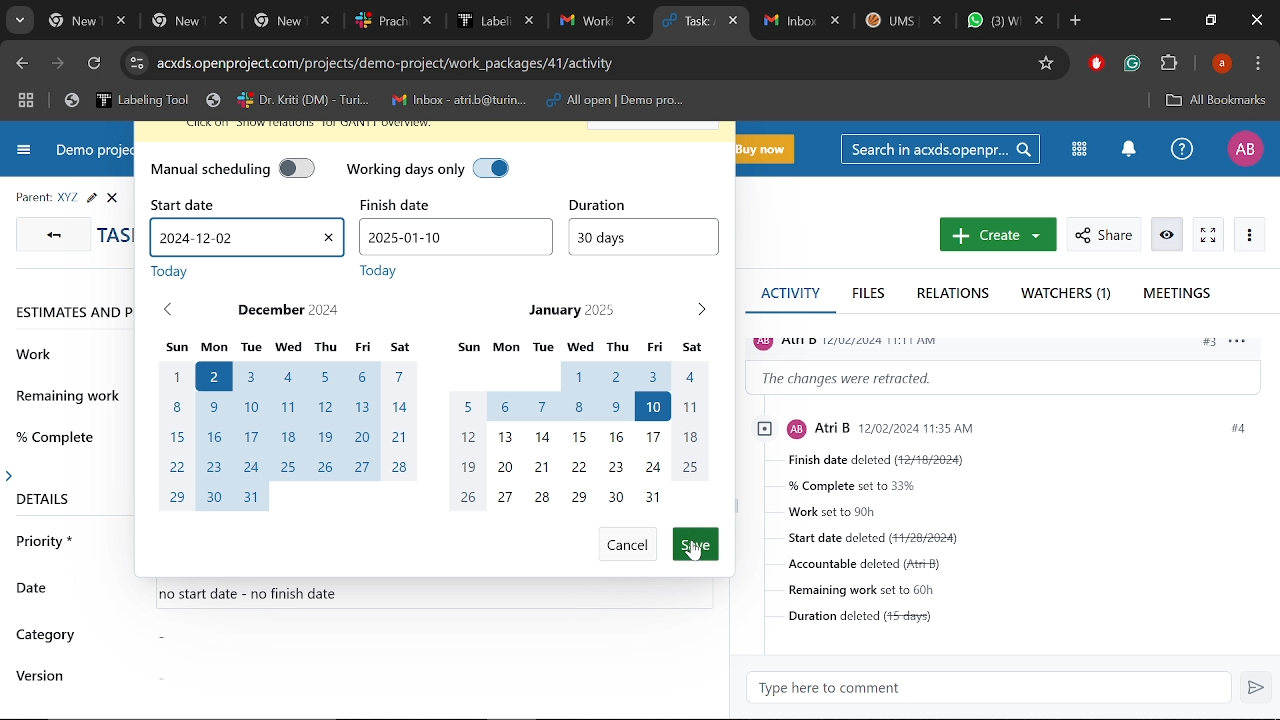 This screenshot has width=1280, height=720. Describe the element at coordinates (1208, 344) in the screenshot. I see `#3` at that location.